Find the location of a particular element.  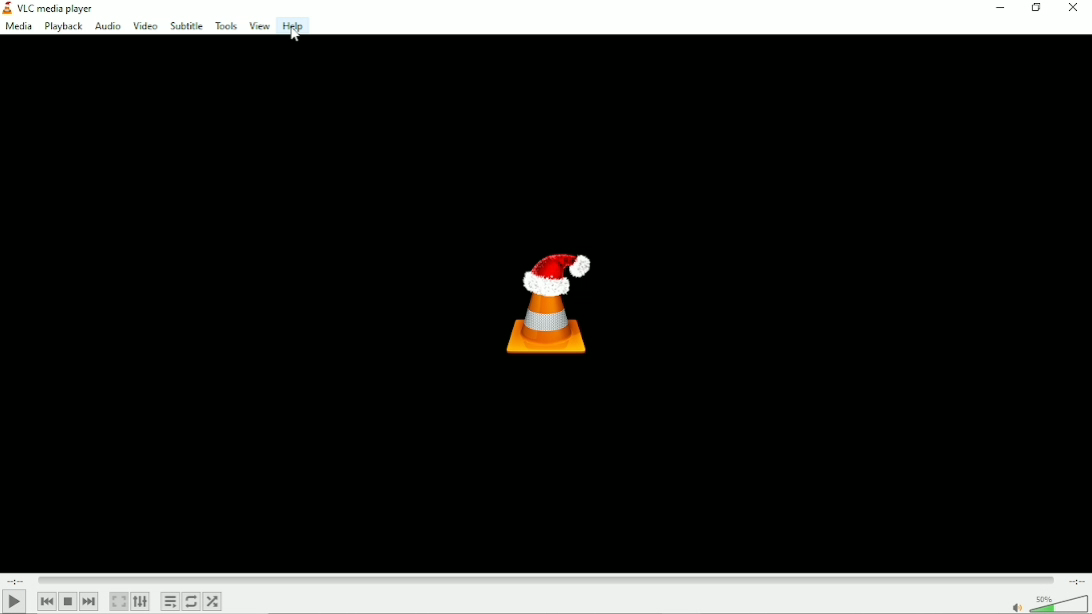

Tools is located at coordinates (227, 25).